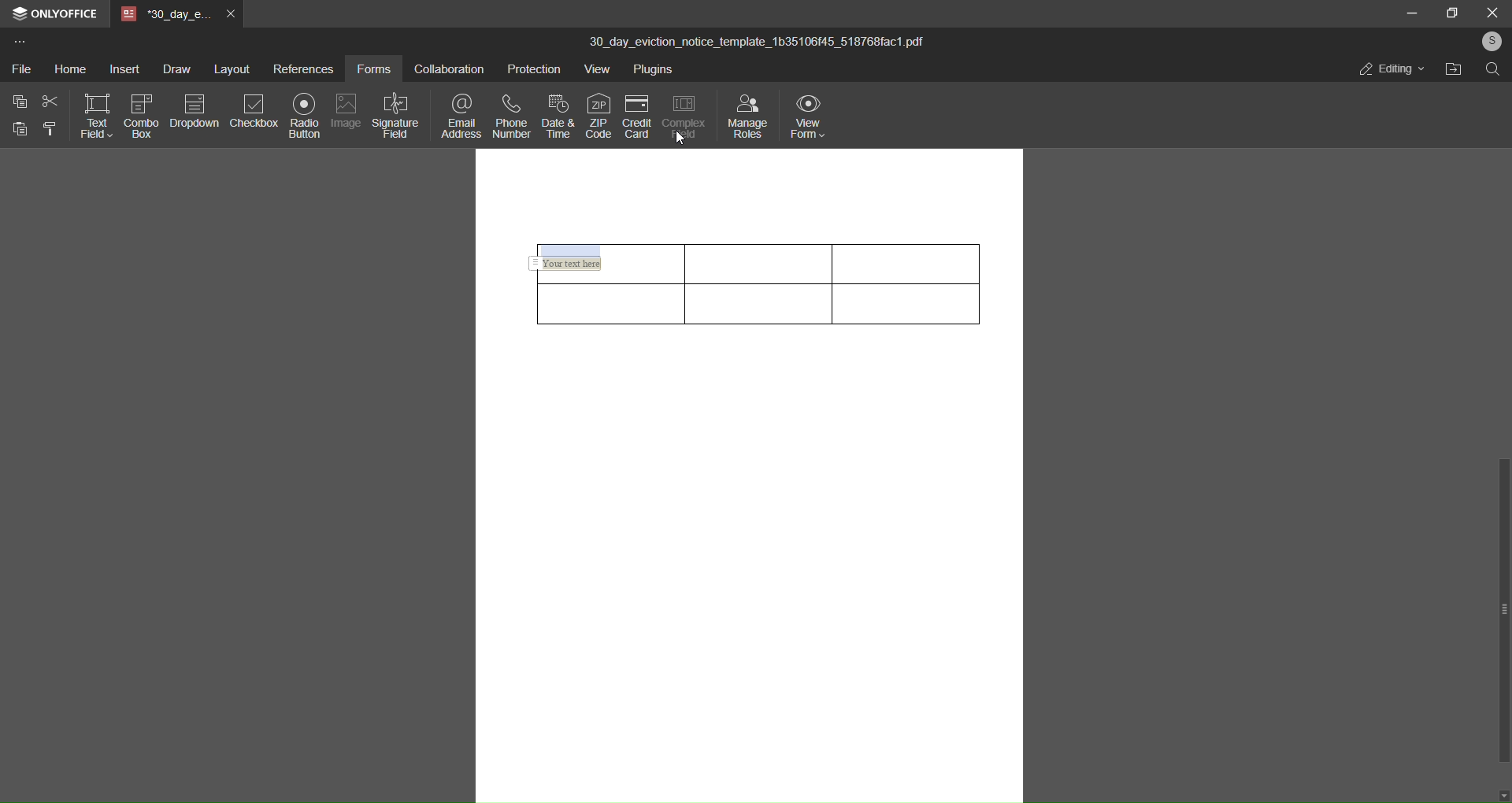  Describe the element at coordinates (20, 16) in the screenshot. I see `logo` at that location.